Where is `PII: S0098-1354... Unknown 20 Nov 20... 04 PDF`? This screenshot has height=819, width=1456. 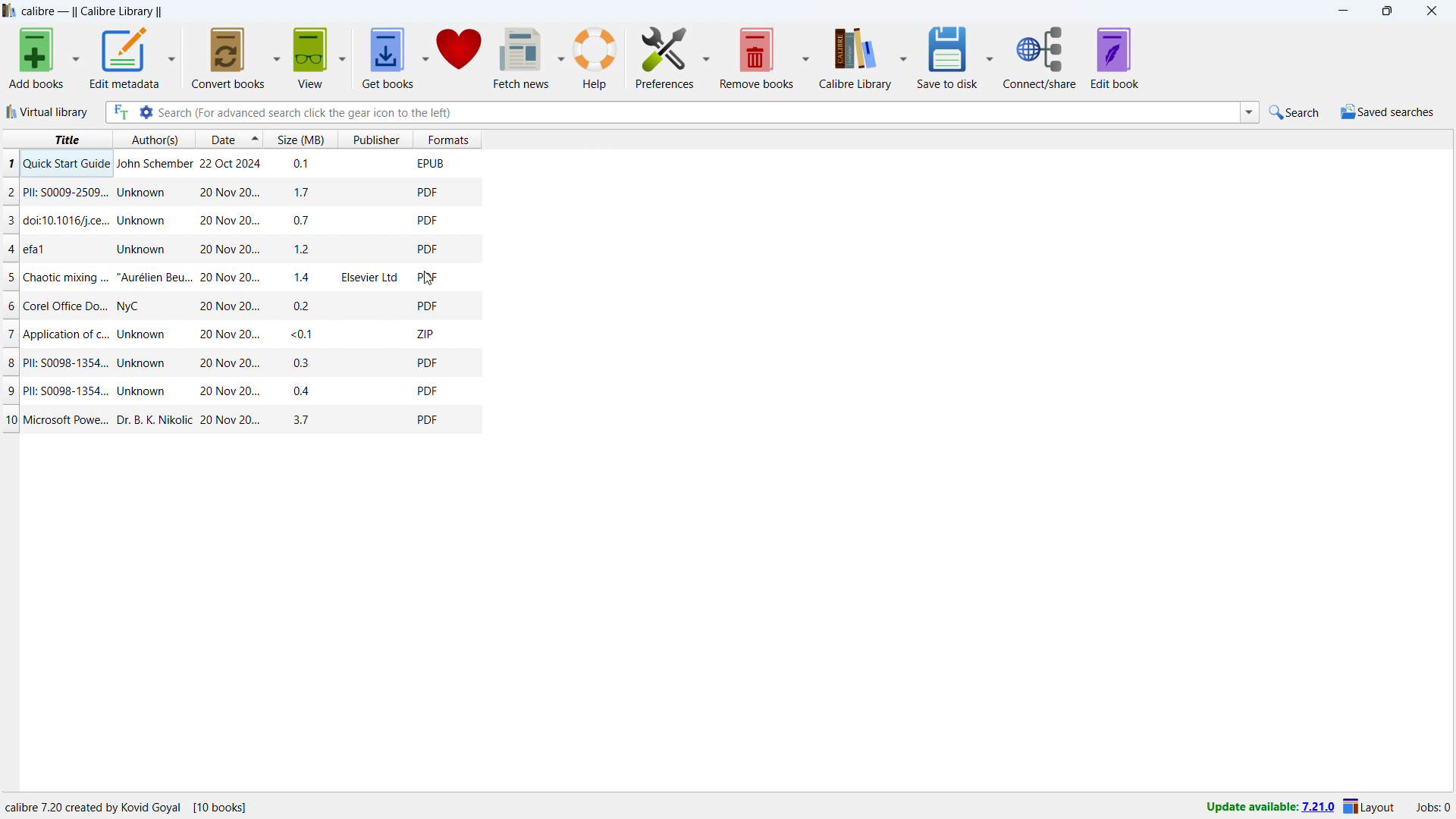 PII: S0098-1354... Unknown 20 Nov 20... 04 PDF is located at coordinates (267, 390).